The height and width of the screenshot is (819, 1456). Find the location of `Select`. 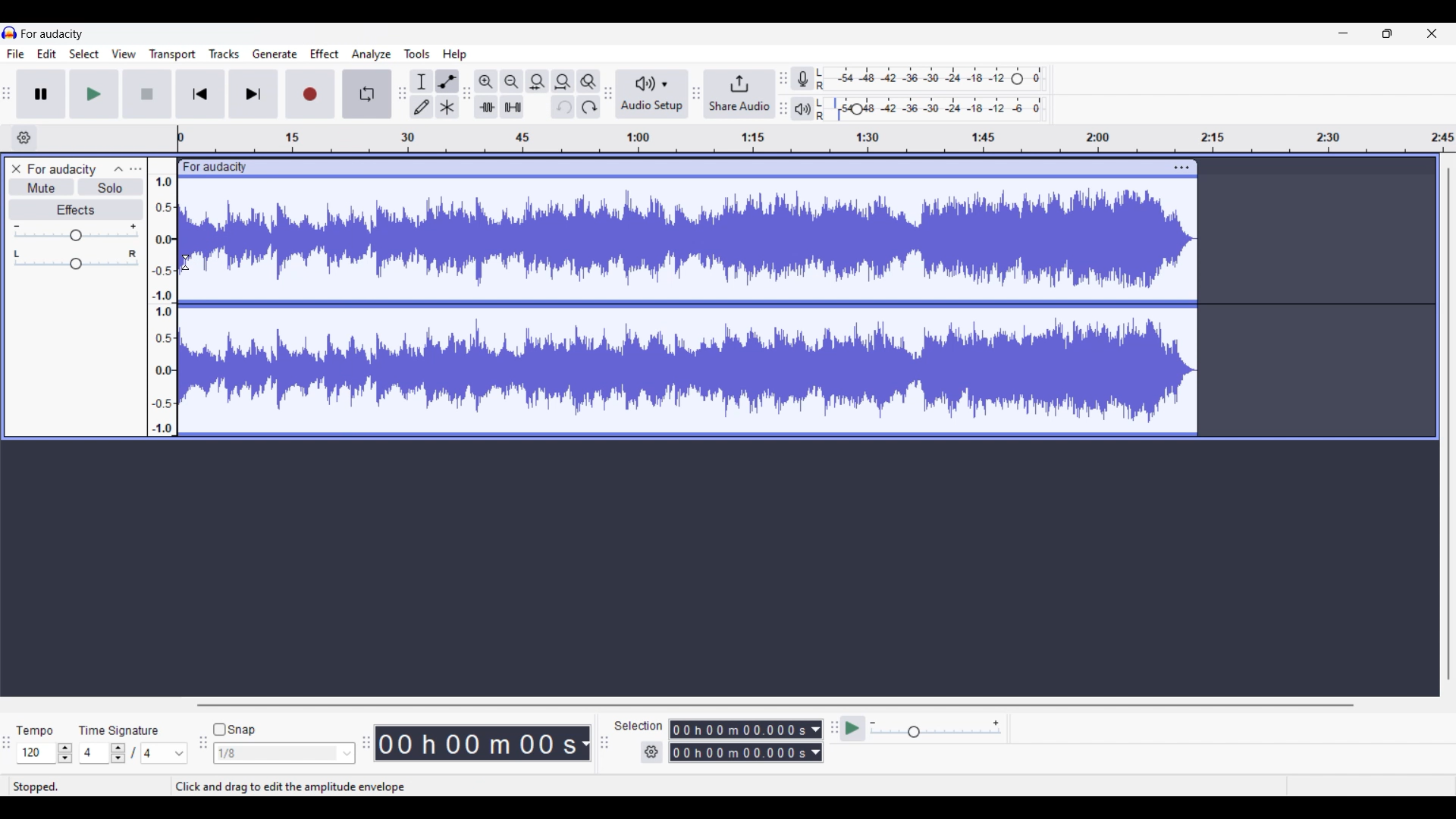

Select is located at coordinates (84, 54).